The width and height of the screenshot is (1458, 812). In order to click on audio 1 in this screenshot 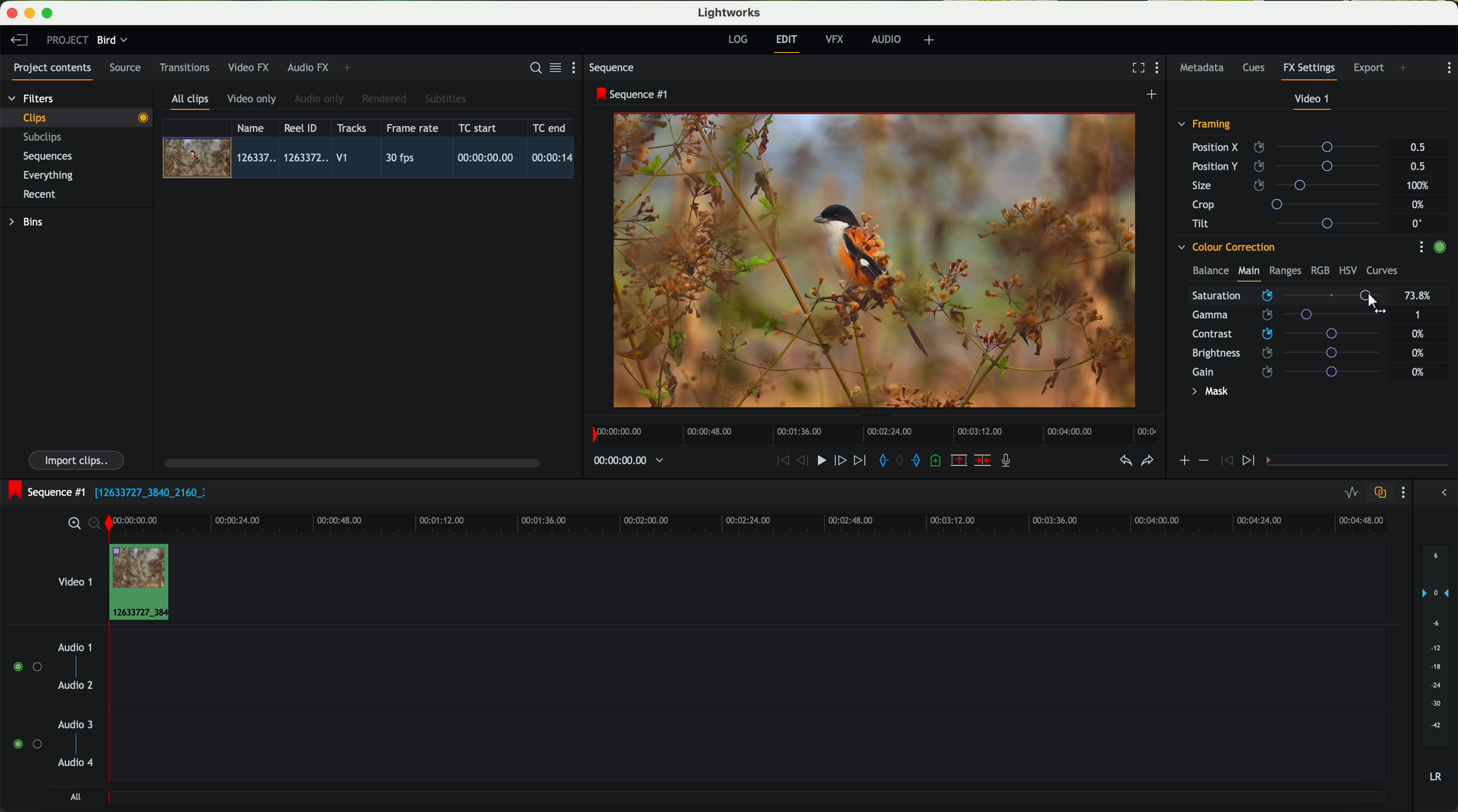, I will do `click(75, 647)`.